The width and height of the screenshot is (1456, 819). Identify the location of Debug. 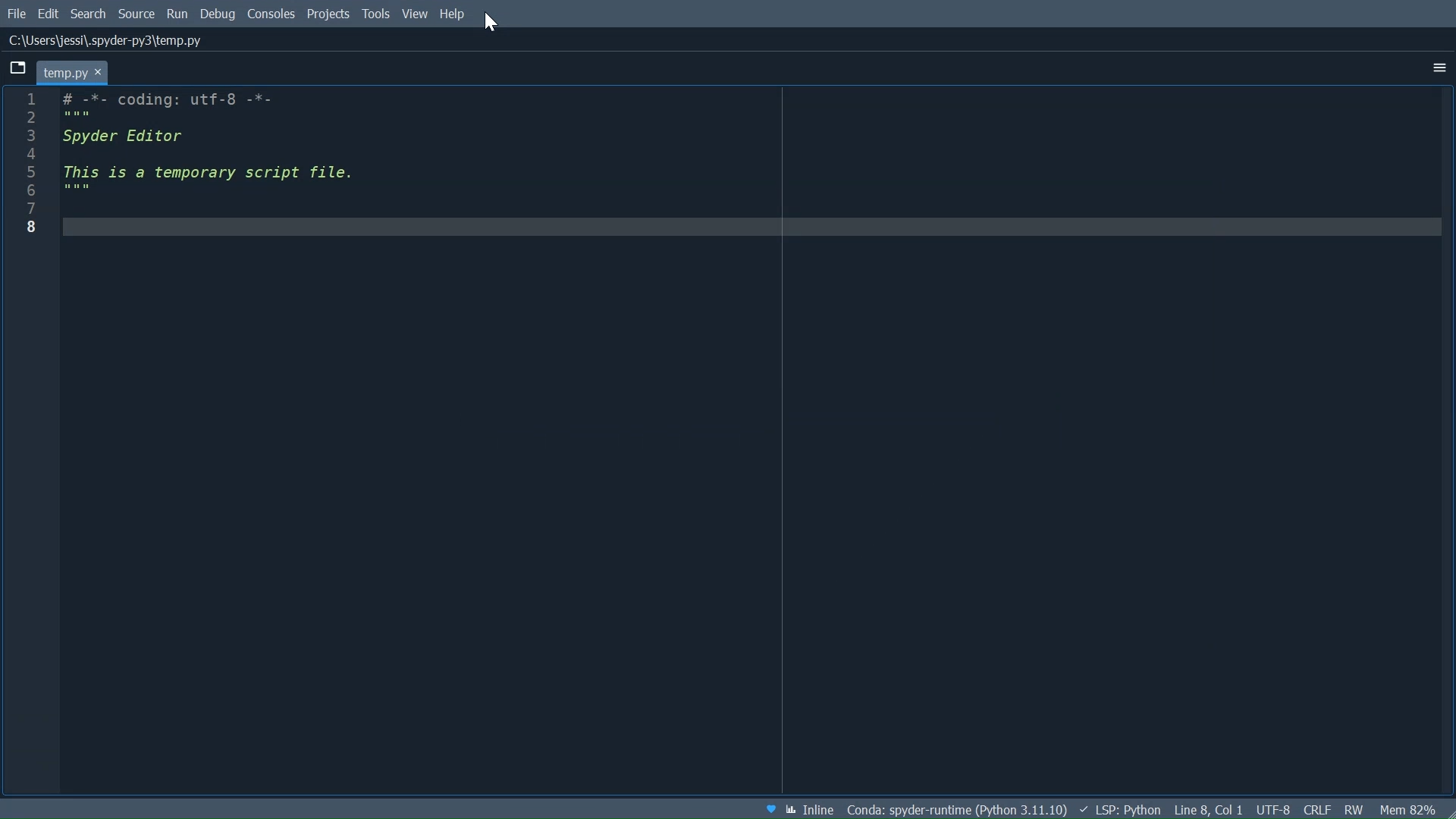
(220, 13).